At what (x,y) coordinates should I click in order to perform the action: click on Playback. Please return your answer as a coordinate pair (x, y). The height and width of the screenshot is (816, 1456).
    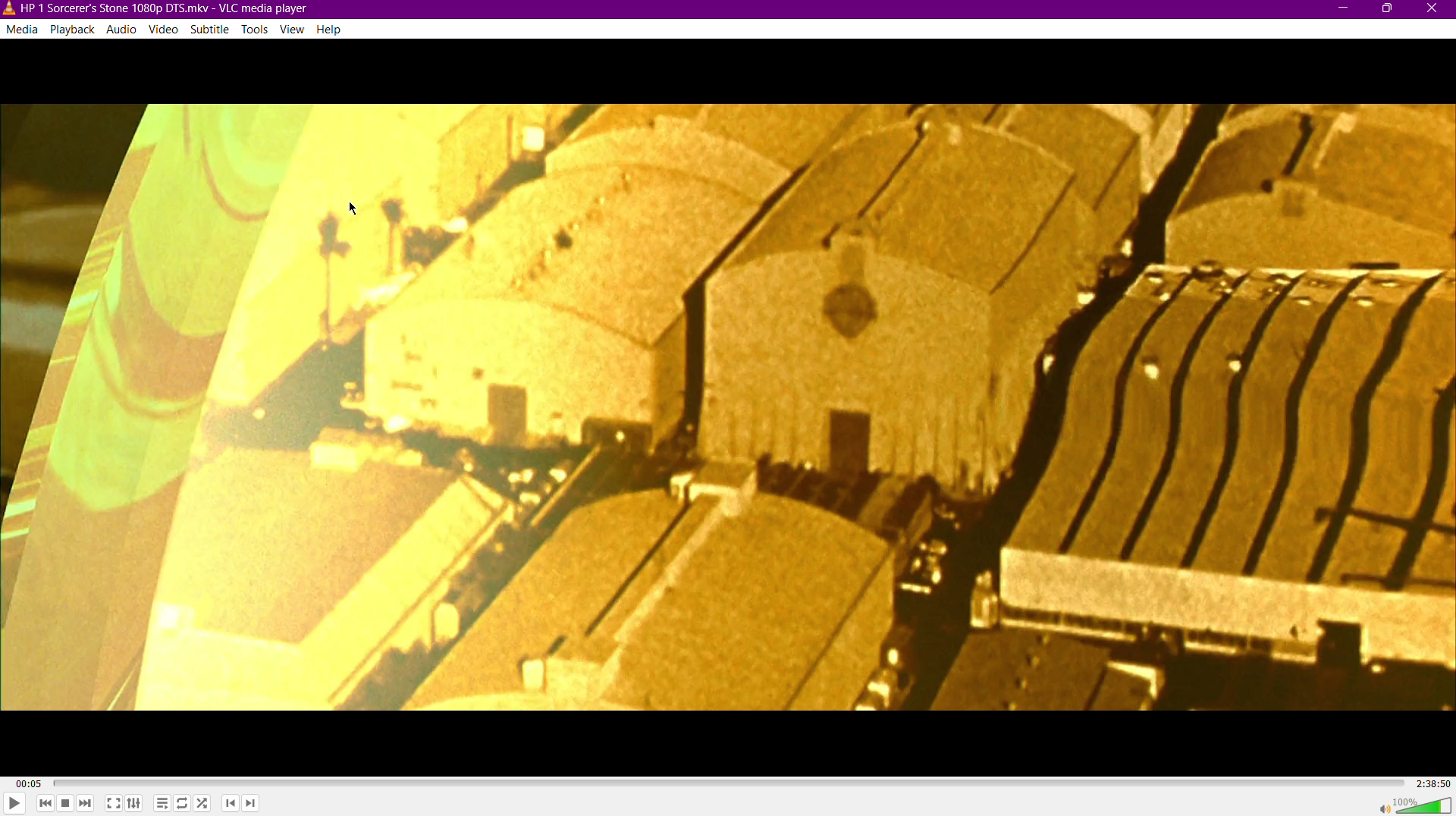
    Looking at the image, I should click on (71, 31).